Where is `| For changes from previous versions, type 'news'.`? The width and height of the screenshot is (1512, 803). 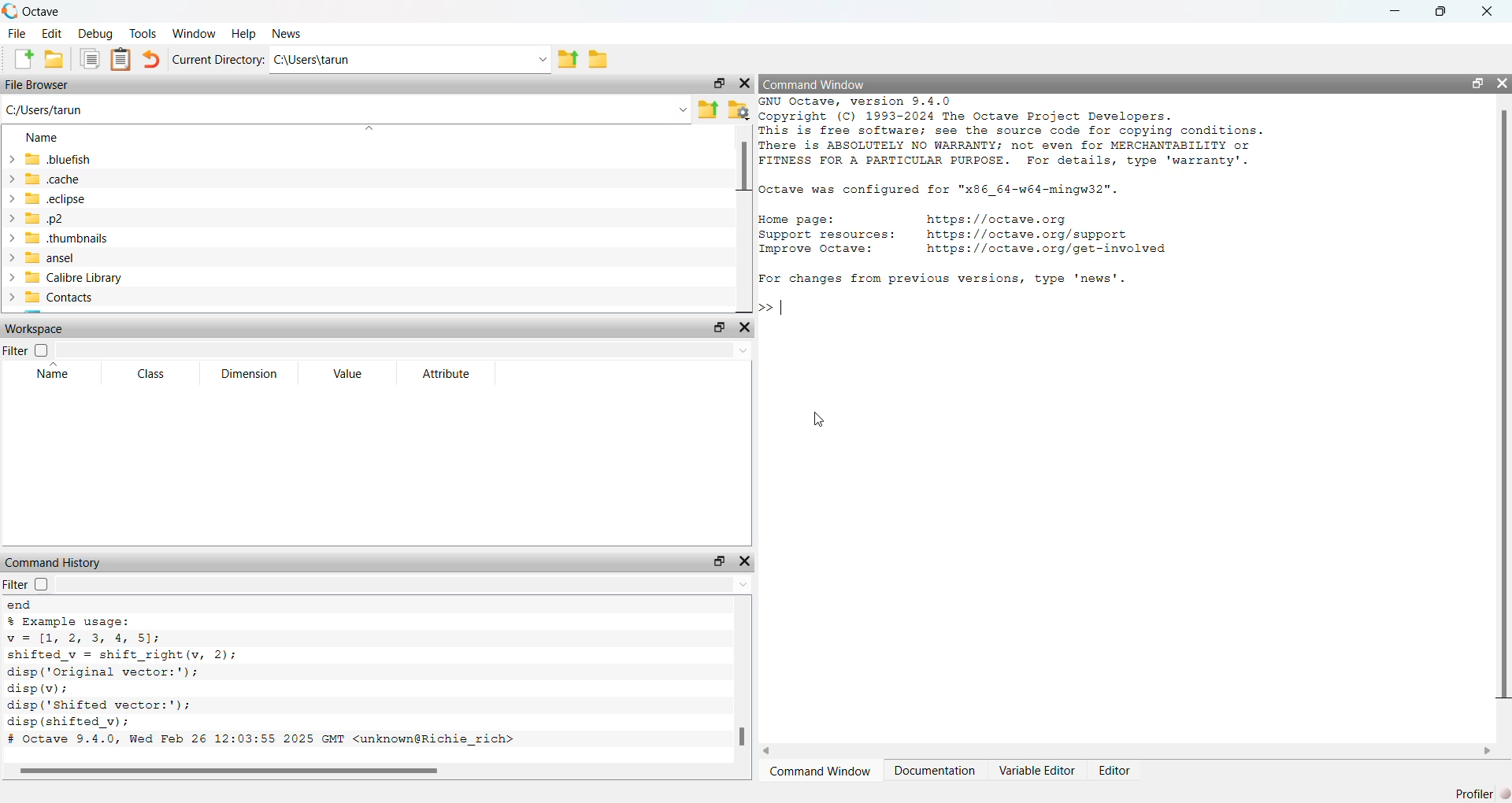
| For changes from previous versions, type 'news'. is located at coordinates (939, 280).